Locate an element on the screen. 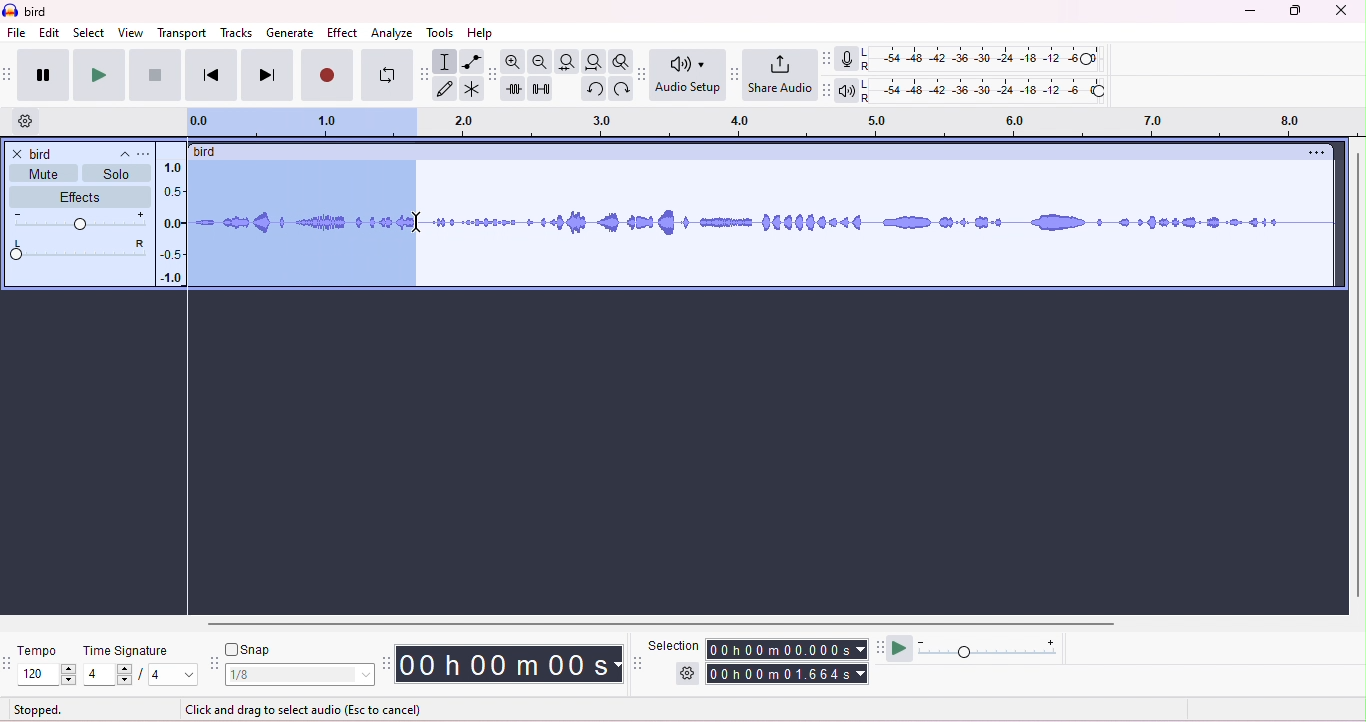 This screenshot has width=1366, height=722. edit is located at coordinates (50, 33).